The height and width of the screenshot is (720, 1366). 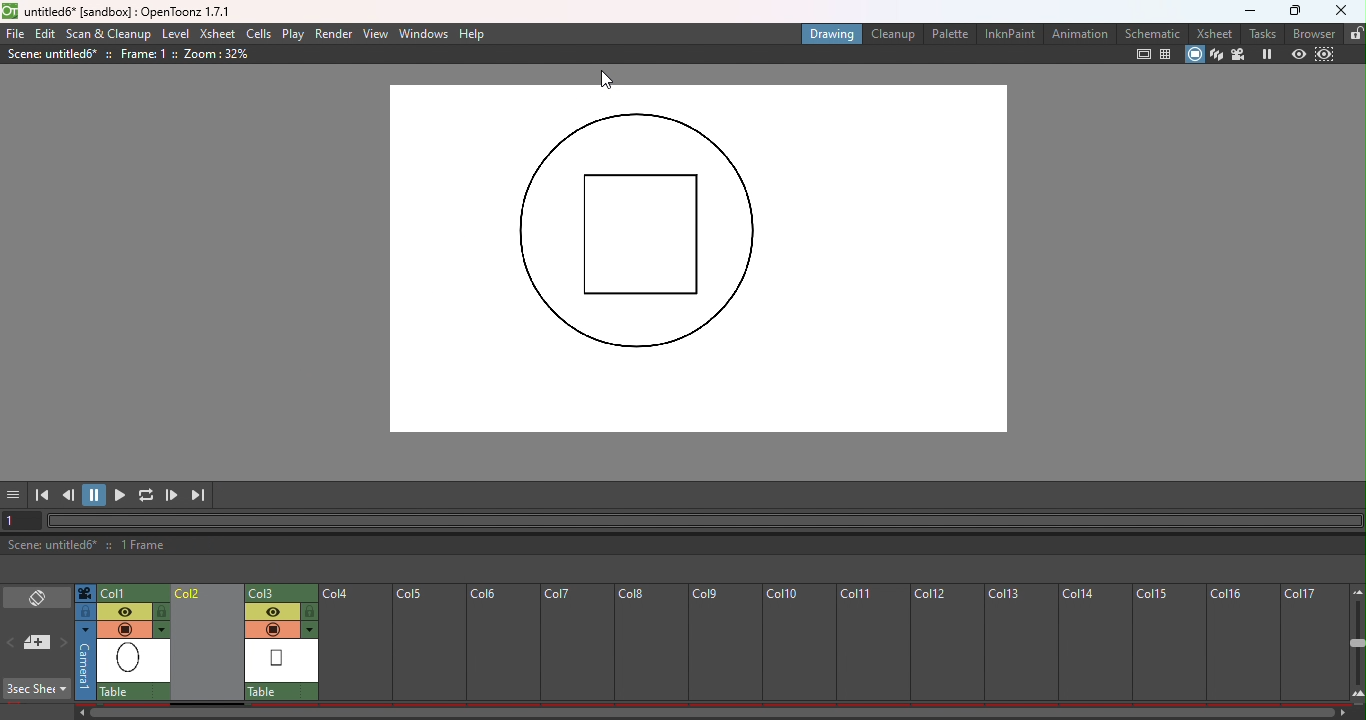 I want to click on Close, so click(x=1342, y=11).